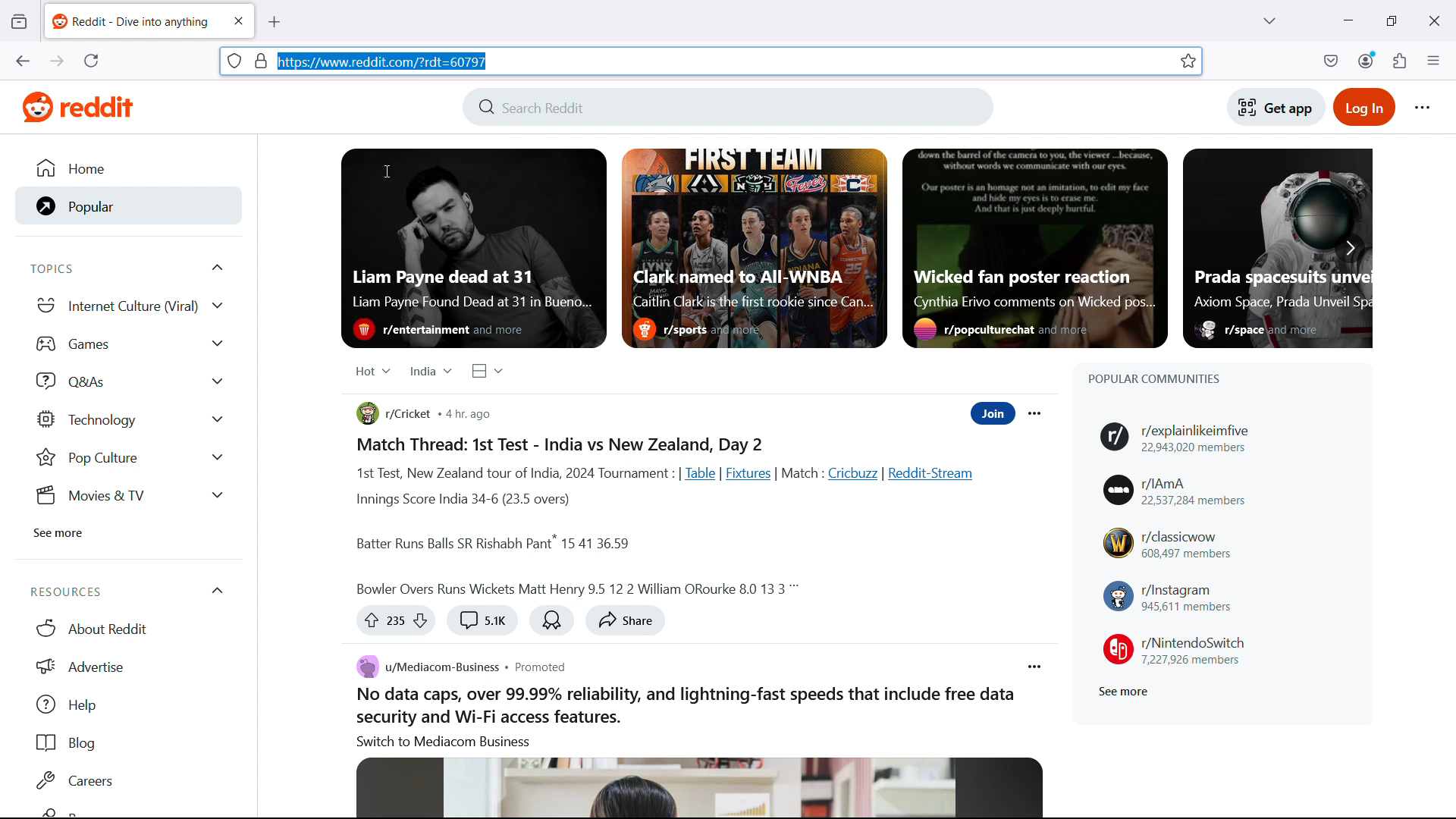 Image resolution: width=1456 pixels, height=819 pixels. I want to click on minimize, so click(1349, 19).